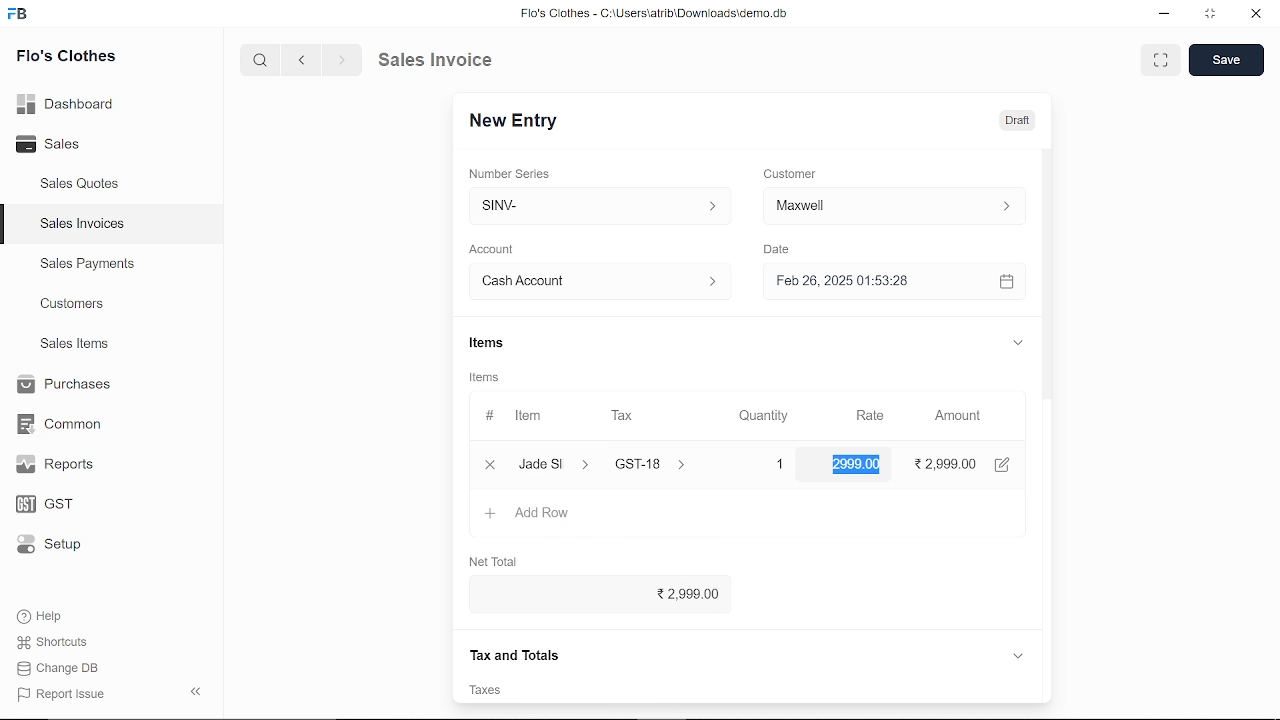  What do you see at coordinates (1006, 463) in the screenshot?
I see `edit account` at bounding box center [1006, 463].